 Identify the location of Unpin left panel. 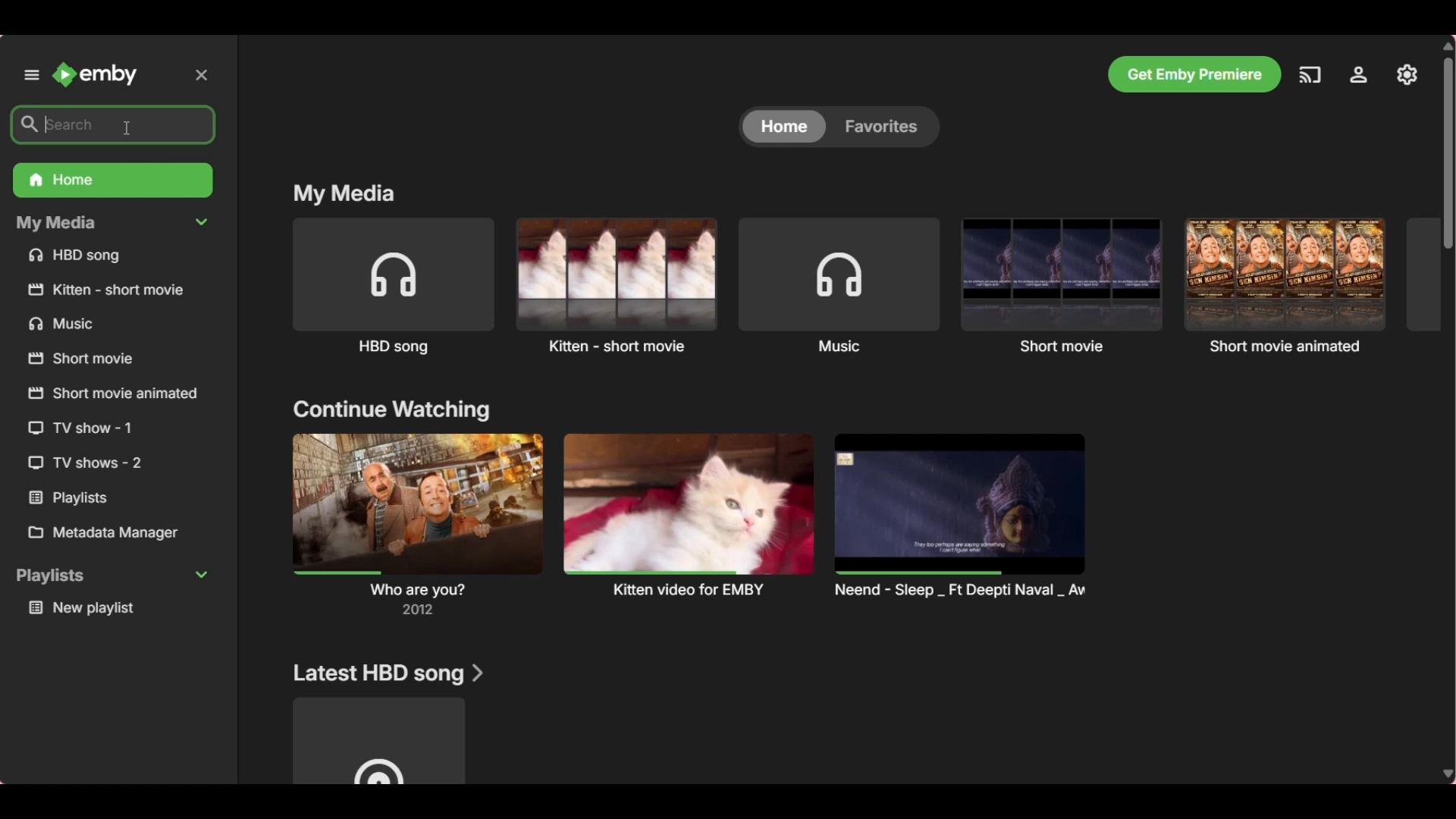
(31, 74).